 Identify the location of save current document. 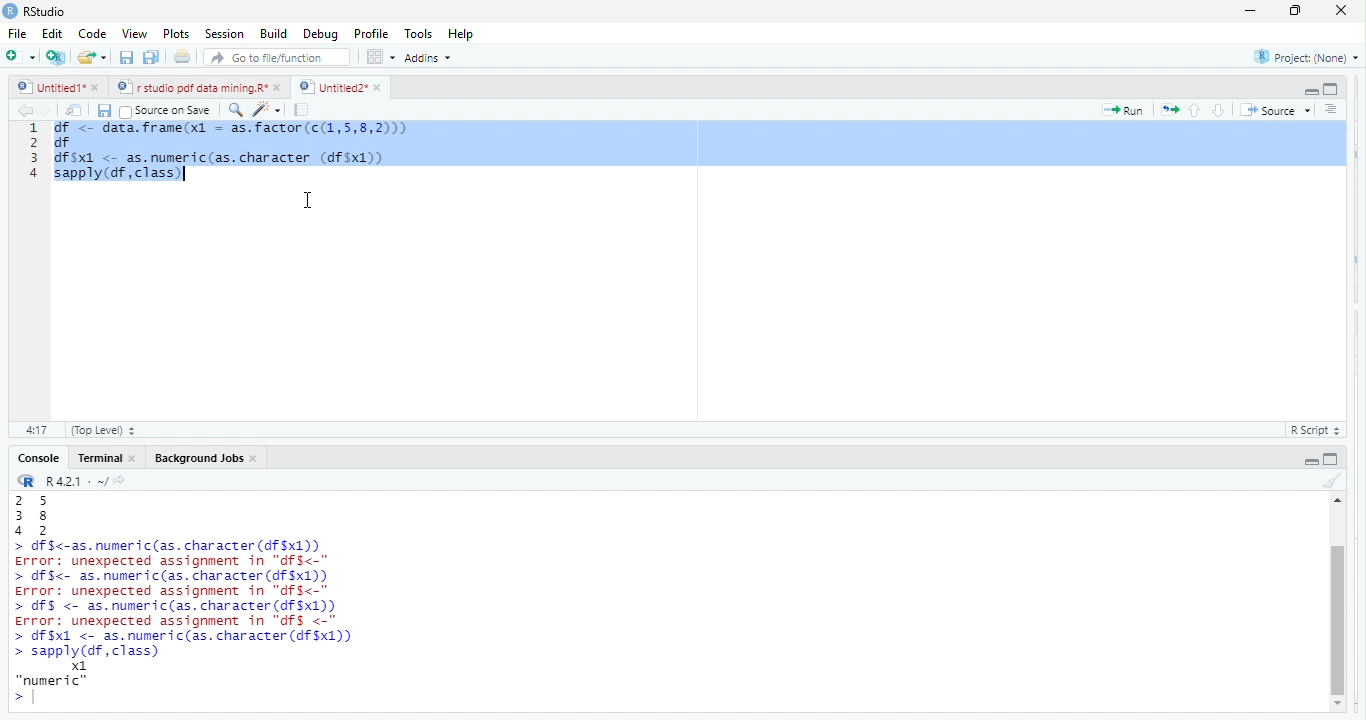
(127, 57).